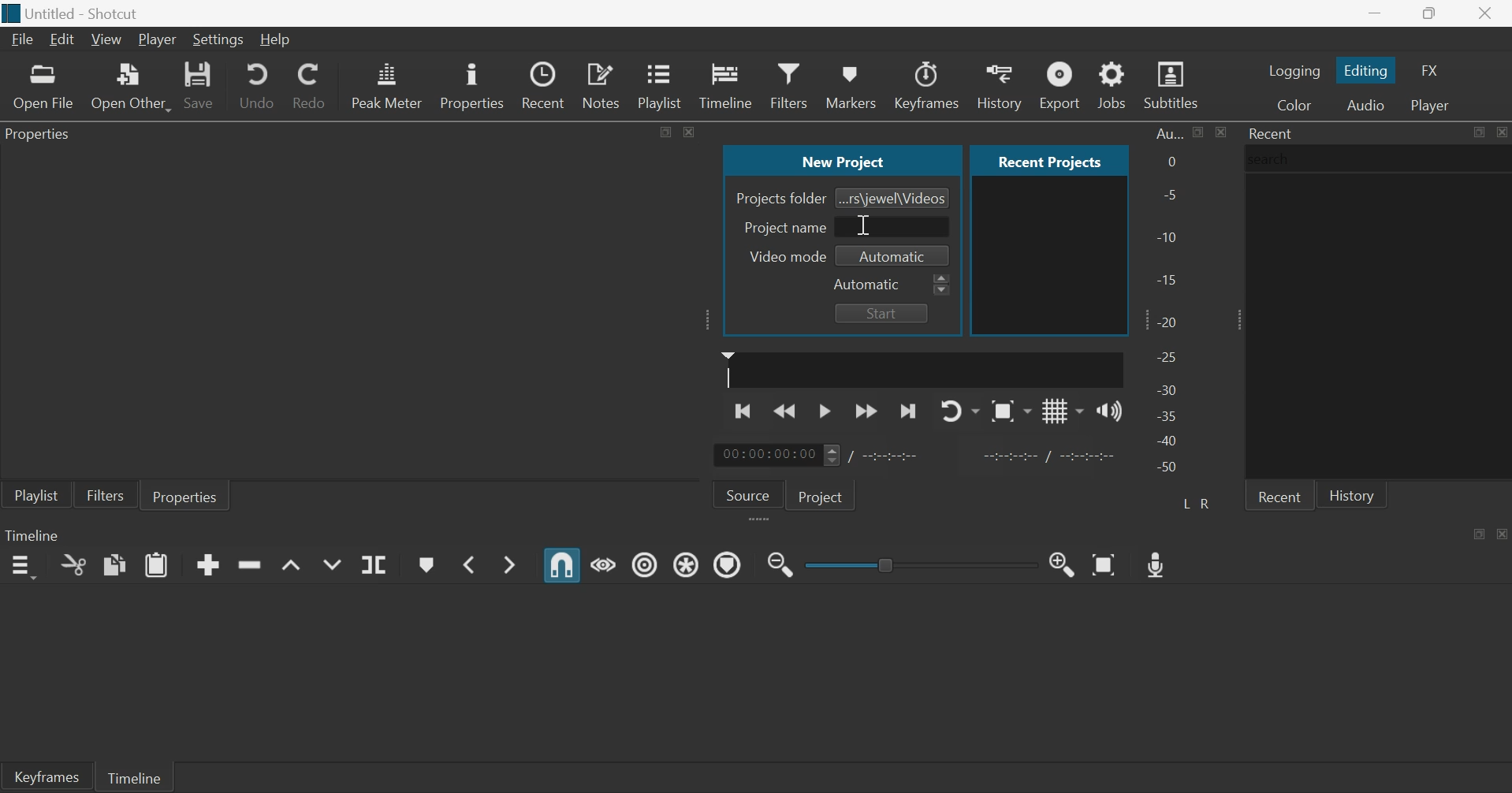 The width and height of the screenshot is (1512, 793). I want to click on Ripple, so click(645, 564).